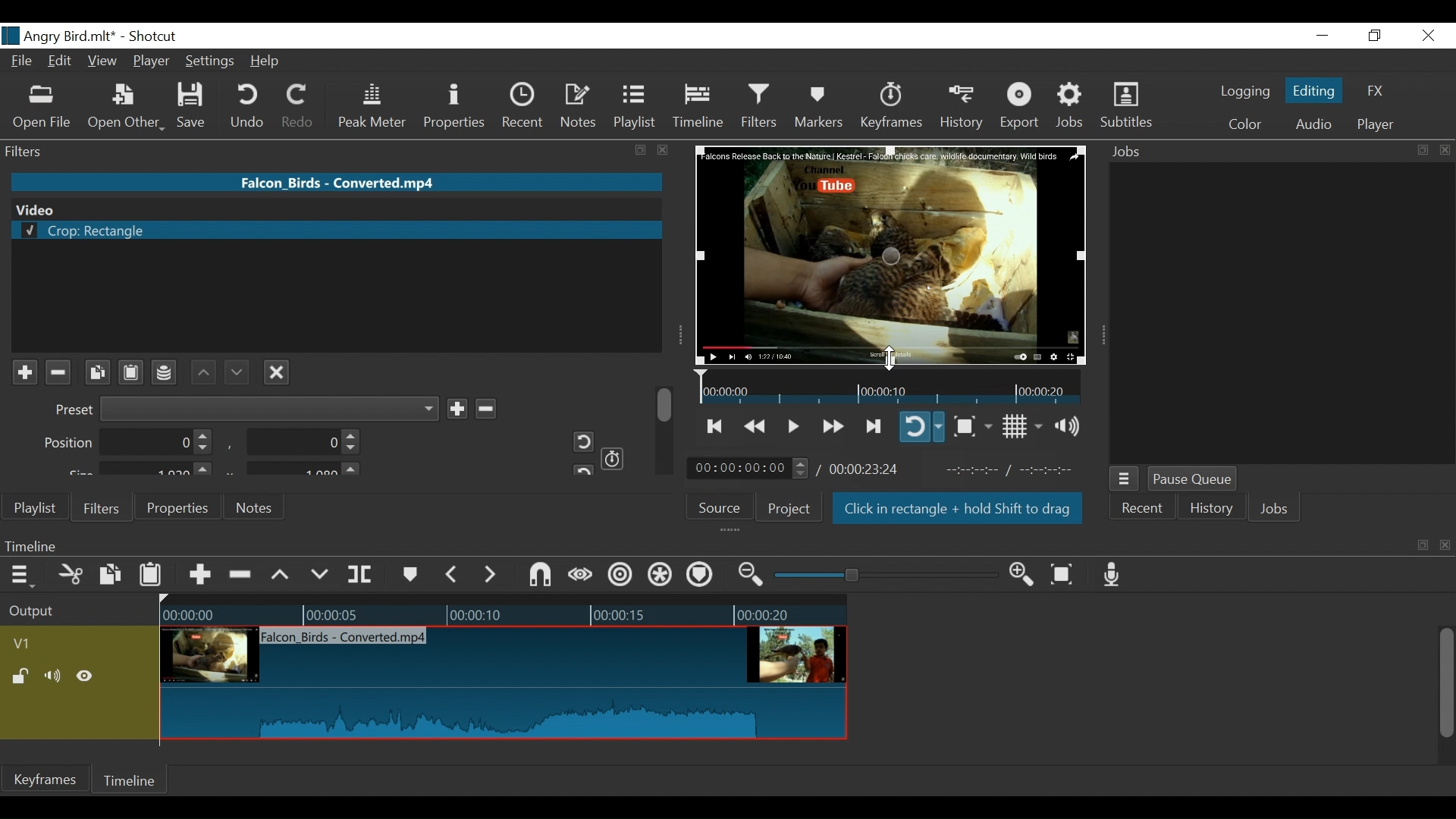 This screenshot has width=1456, height=819. I want to click on close, so click(664, 150).